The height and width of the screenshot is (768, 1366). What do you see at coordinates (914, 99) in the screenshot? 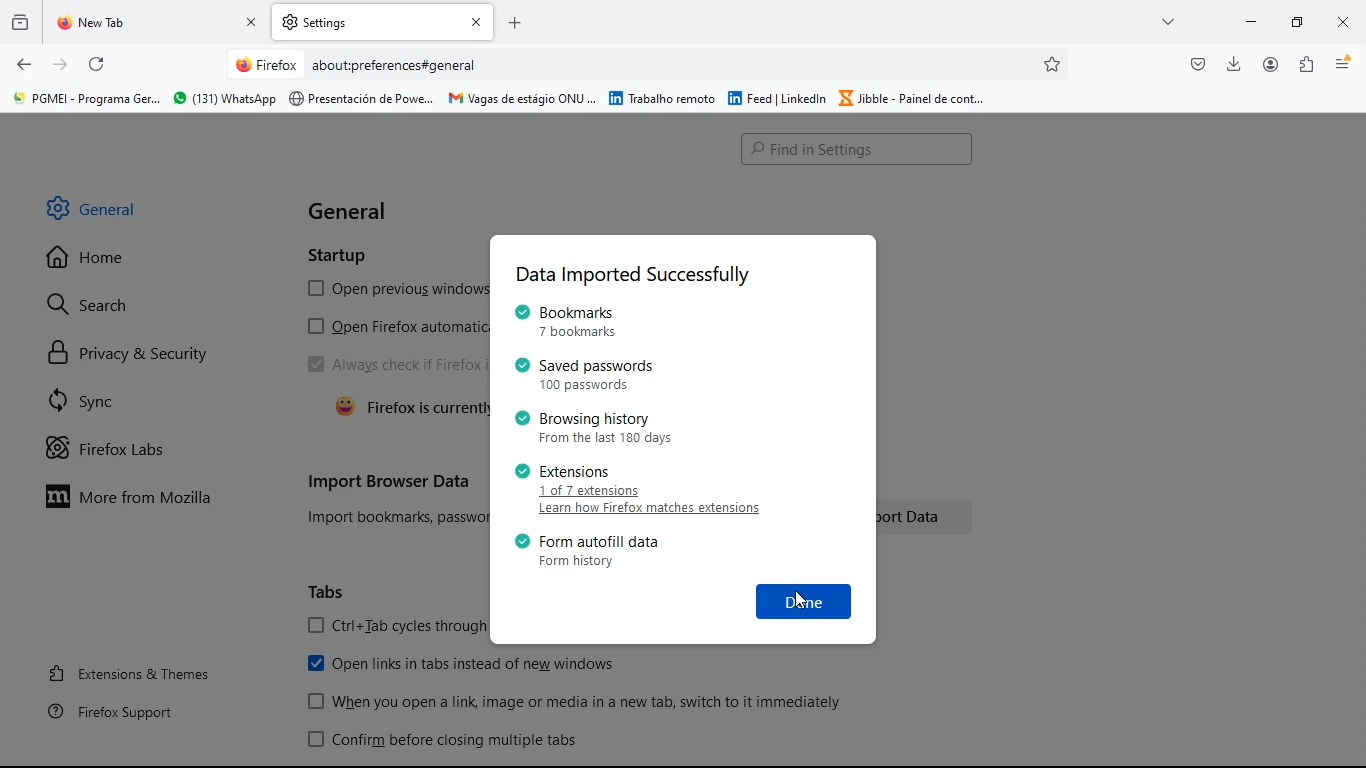
I see `Jibble - Painel de cont...` at bounding box center [914, 99].